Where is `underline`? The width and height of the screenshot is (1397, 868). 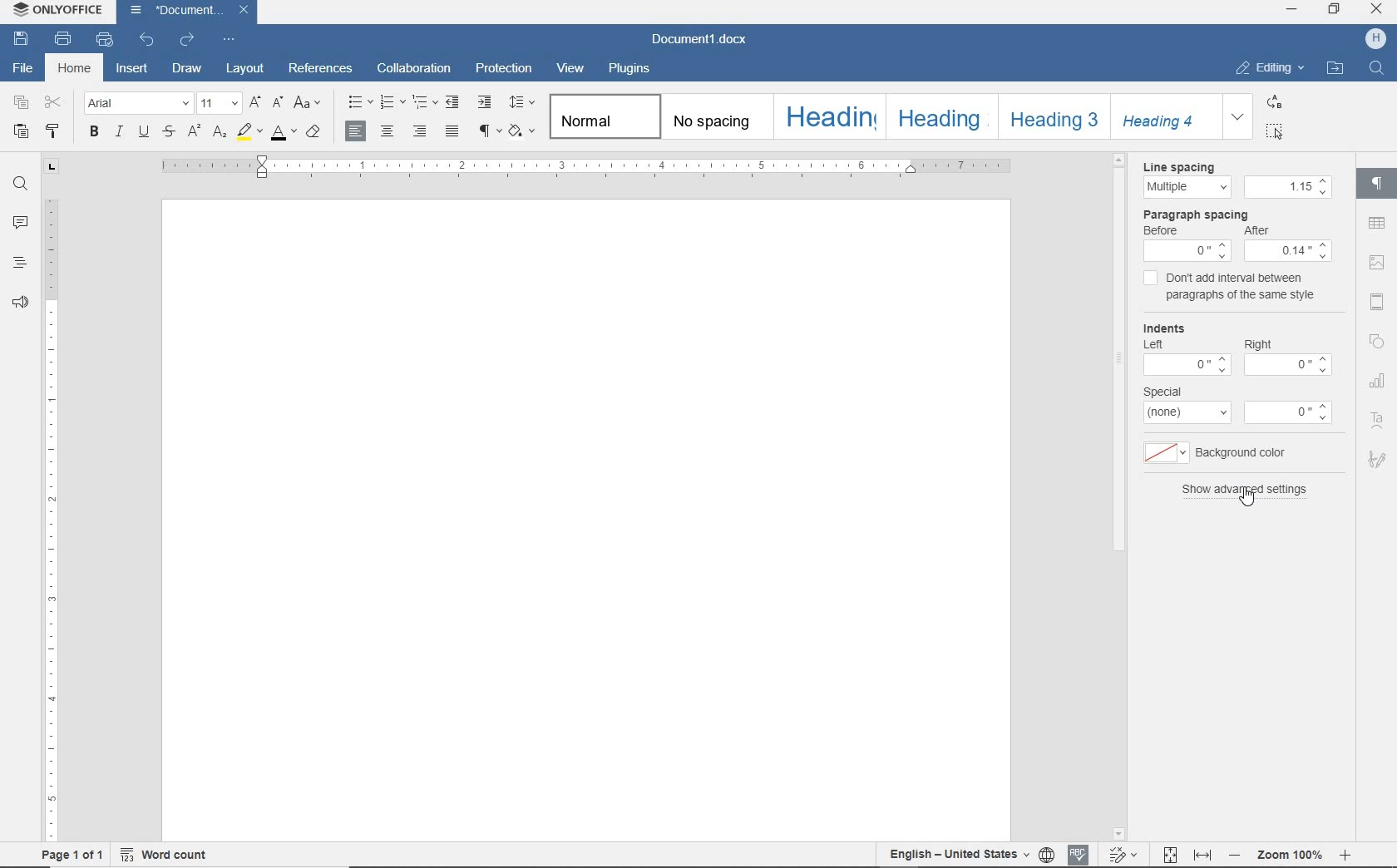
underline is located at coordinates (144, 134).